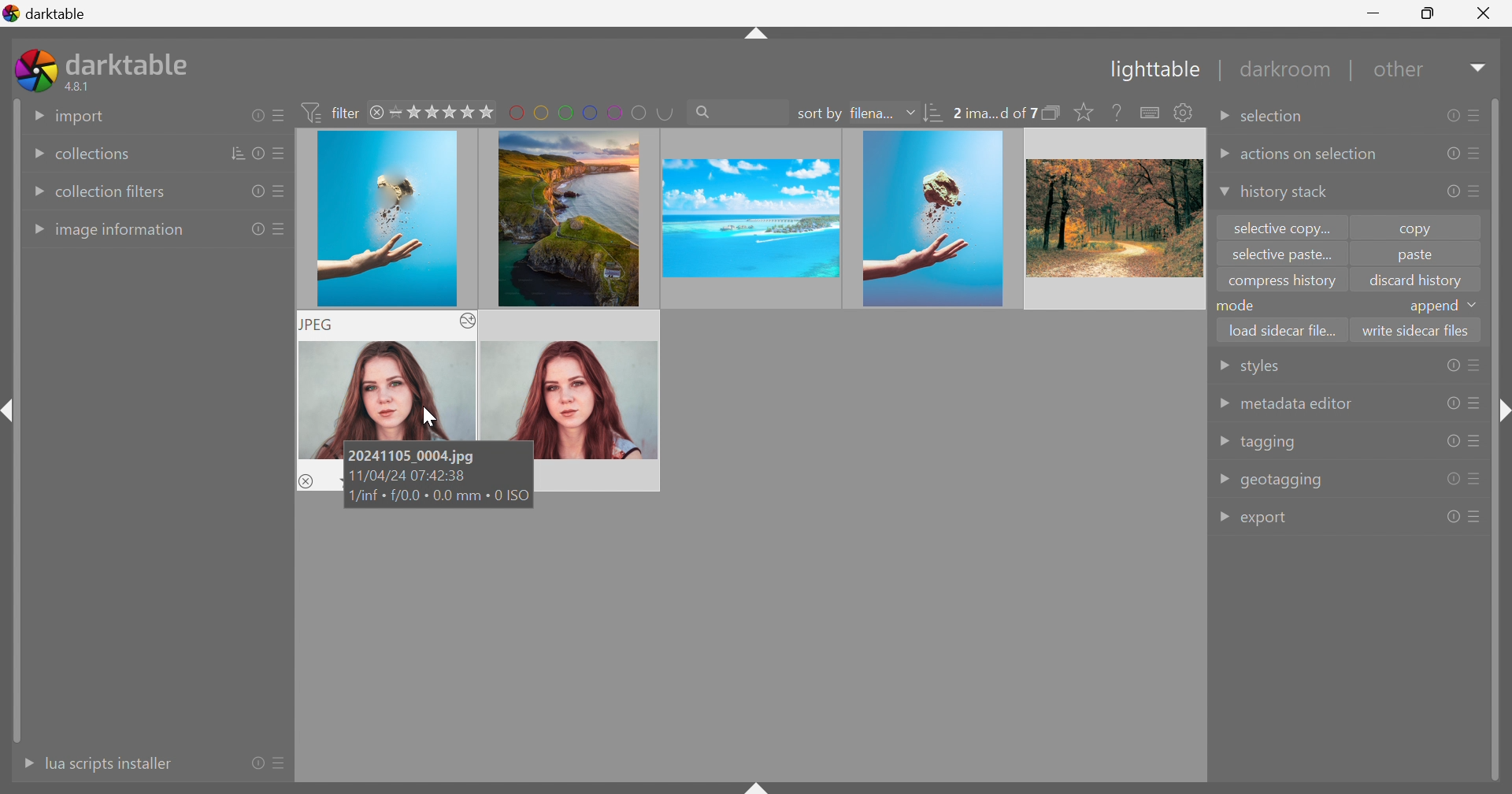 The width and height of the screenshot is (1512, 794). What do you see at coordinates (1222, 366) in the screenshot?
I see `Drop Down` at bounding box center [1222, 366].